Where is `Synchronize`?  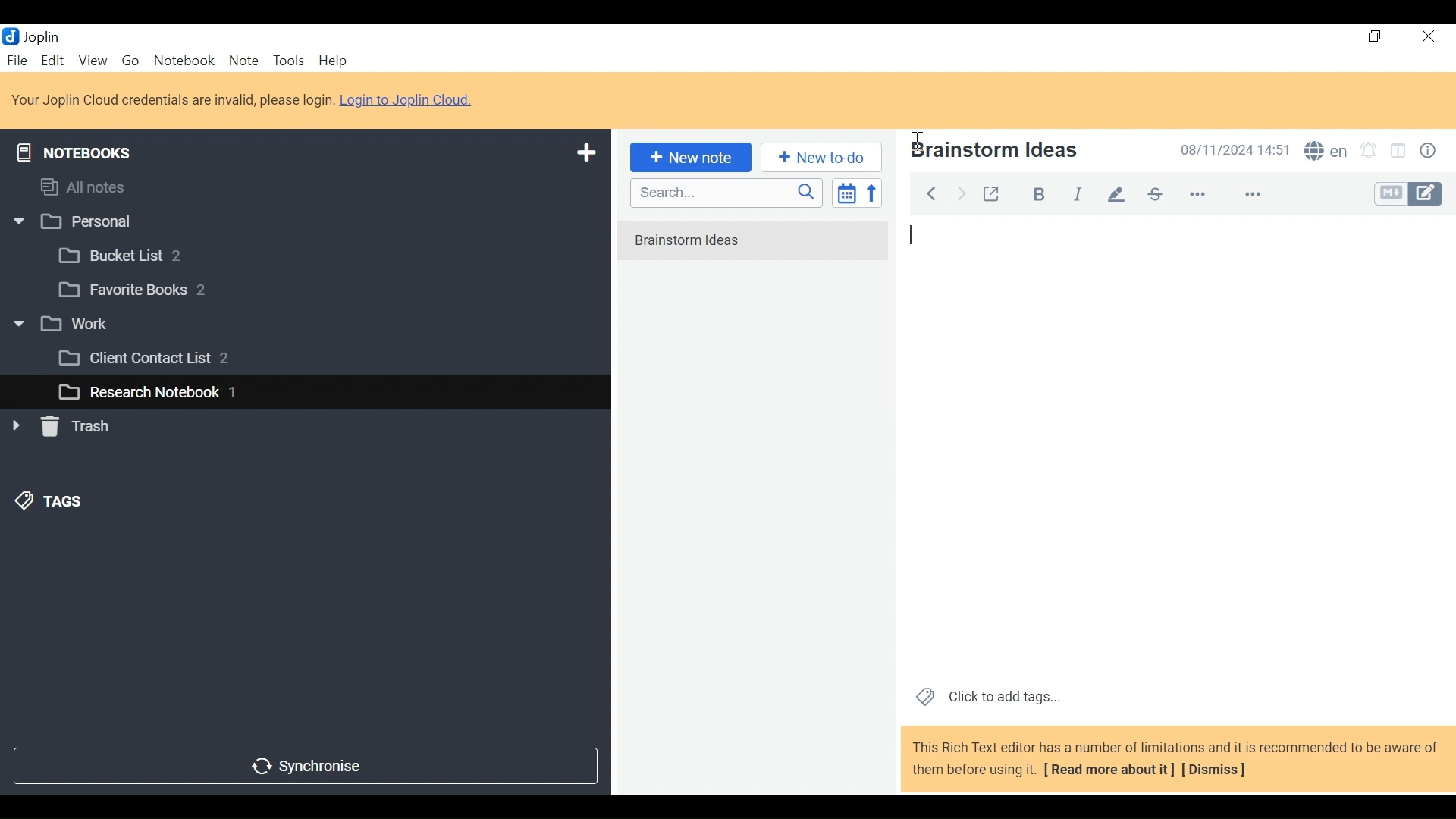 Synchronize is located at coordinates (304, 764).